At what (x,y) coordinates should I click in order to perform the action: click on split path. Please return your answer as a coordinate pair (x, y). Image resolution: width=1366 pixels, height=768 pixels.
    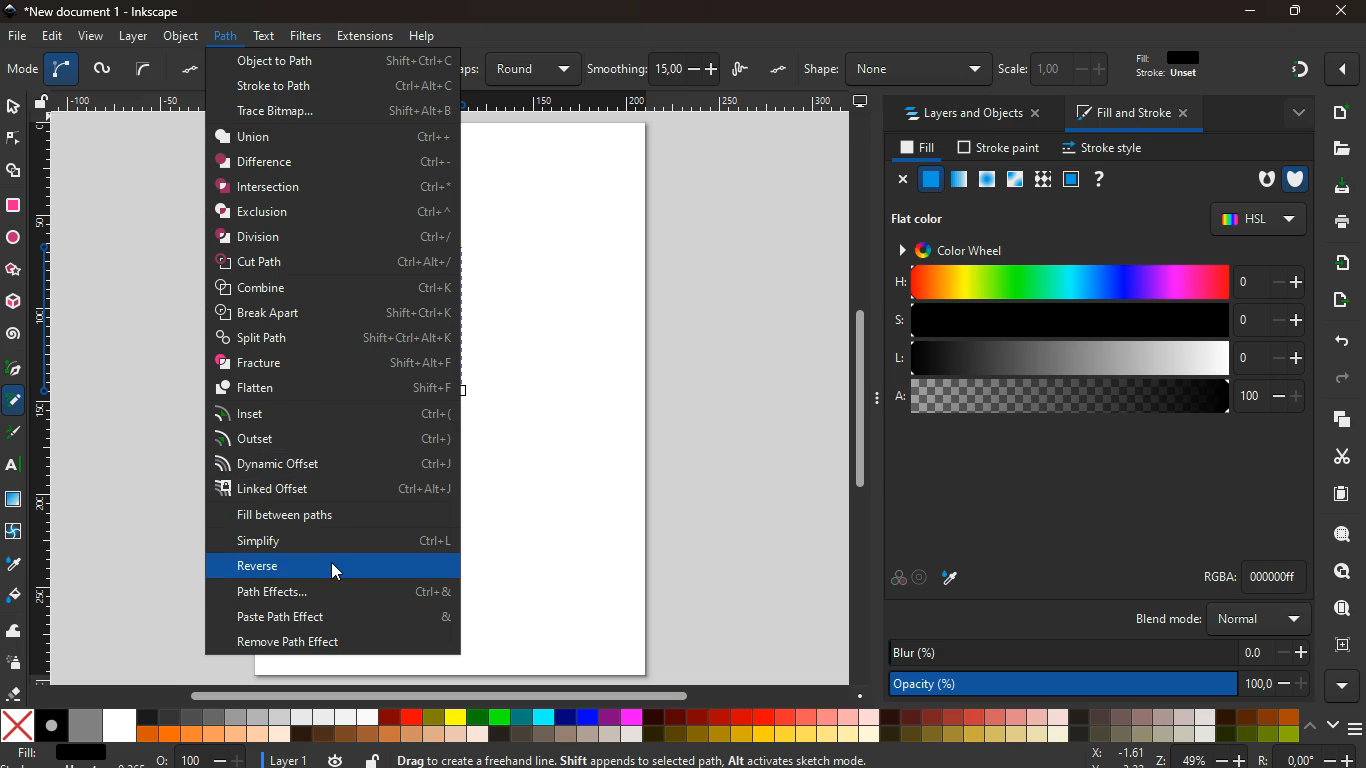
    Looking at the image, I should click on (335, 338).